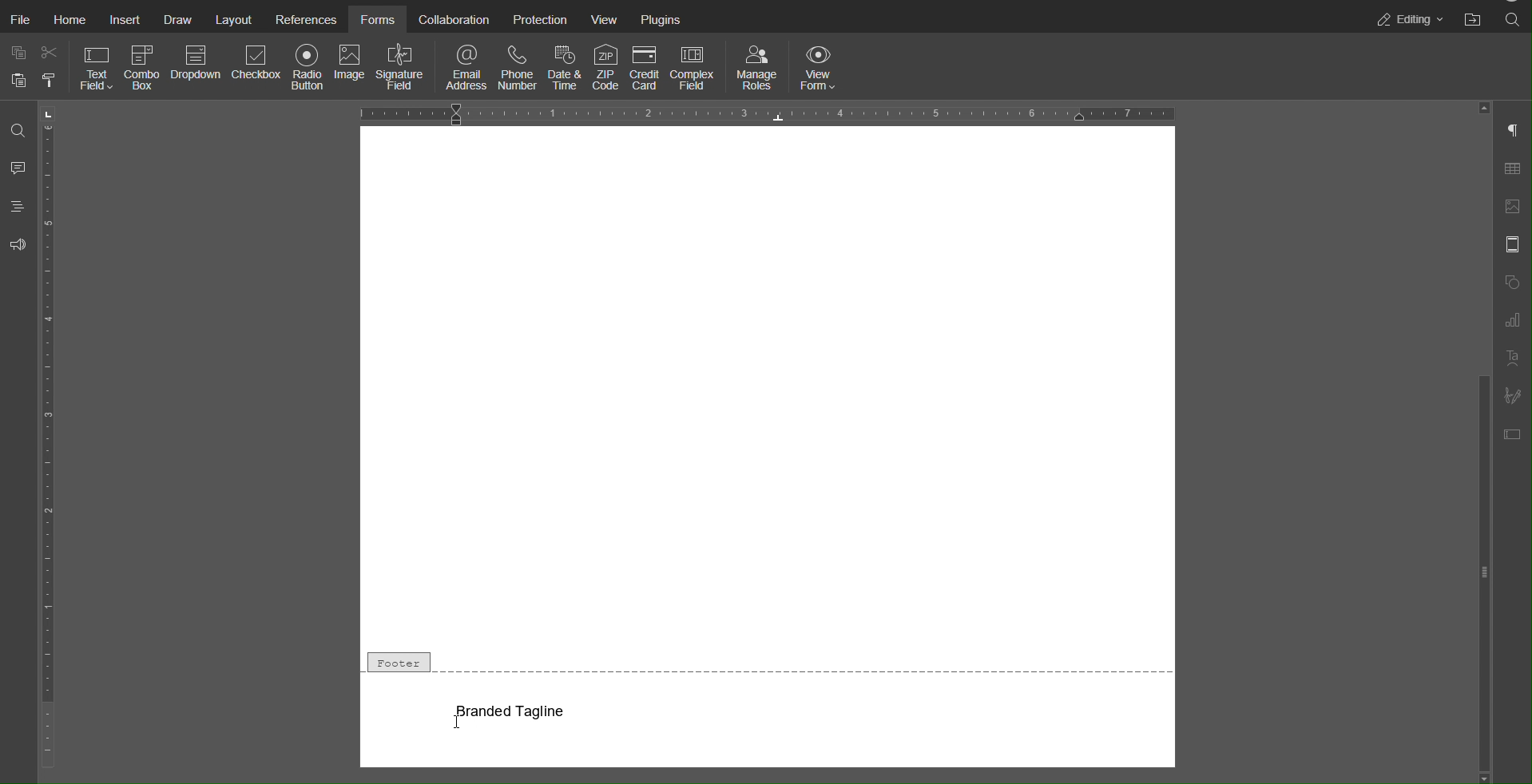 This screenshot has width=1532, height=784. I want to click on Date & Time, so click(561, 66).